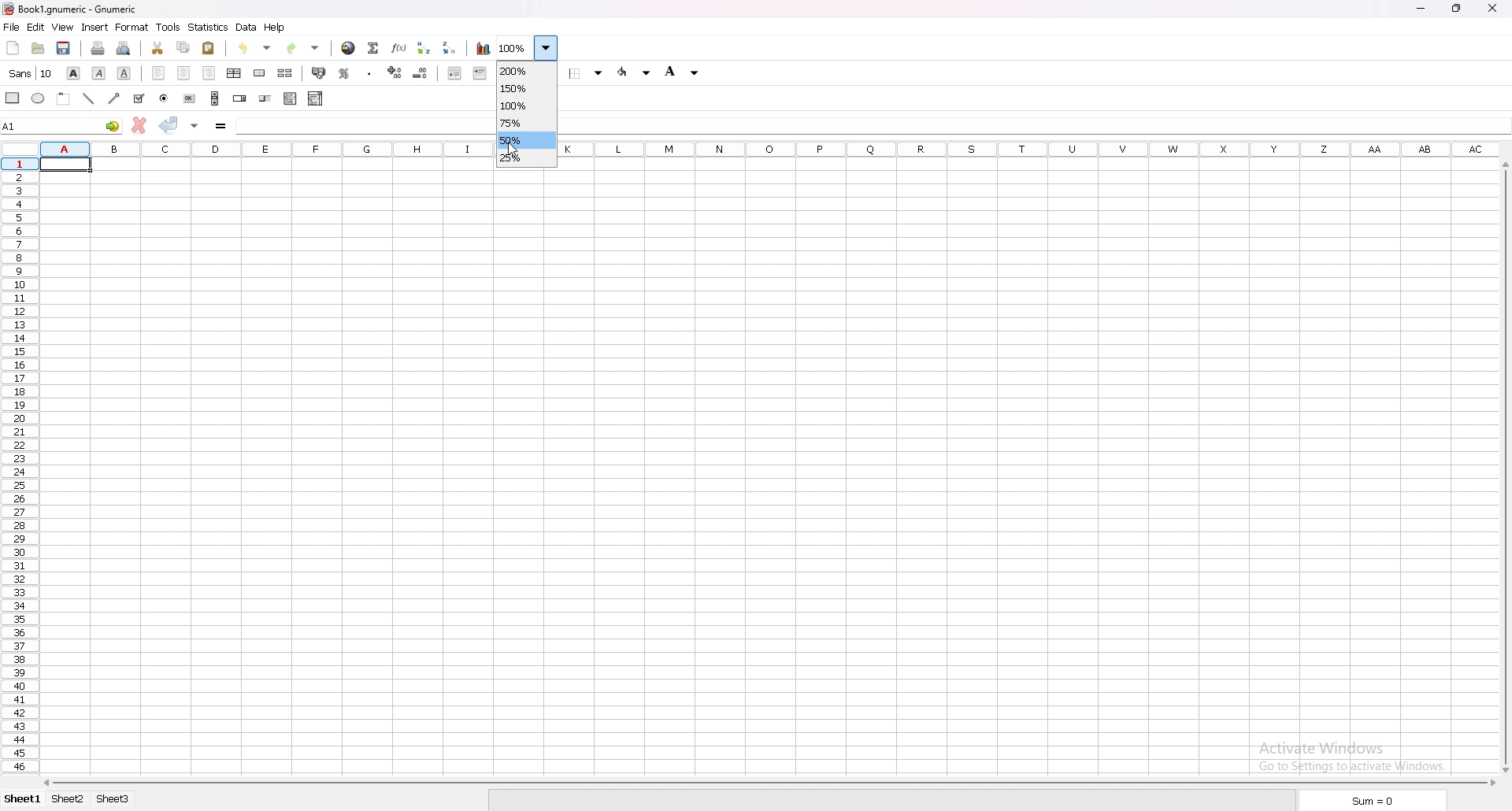  Describe the element at coordinates (36, 26) in the screenshot. I see `edit` at that location.